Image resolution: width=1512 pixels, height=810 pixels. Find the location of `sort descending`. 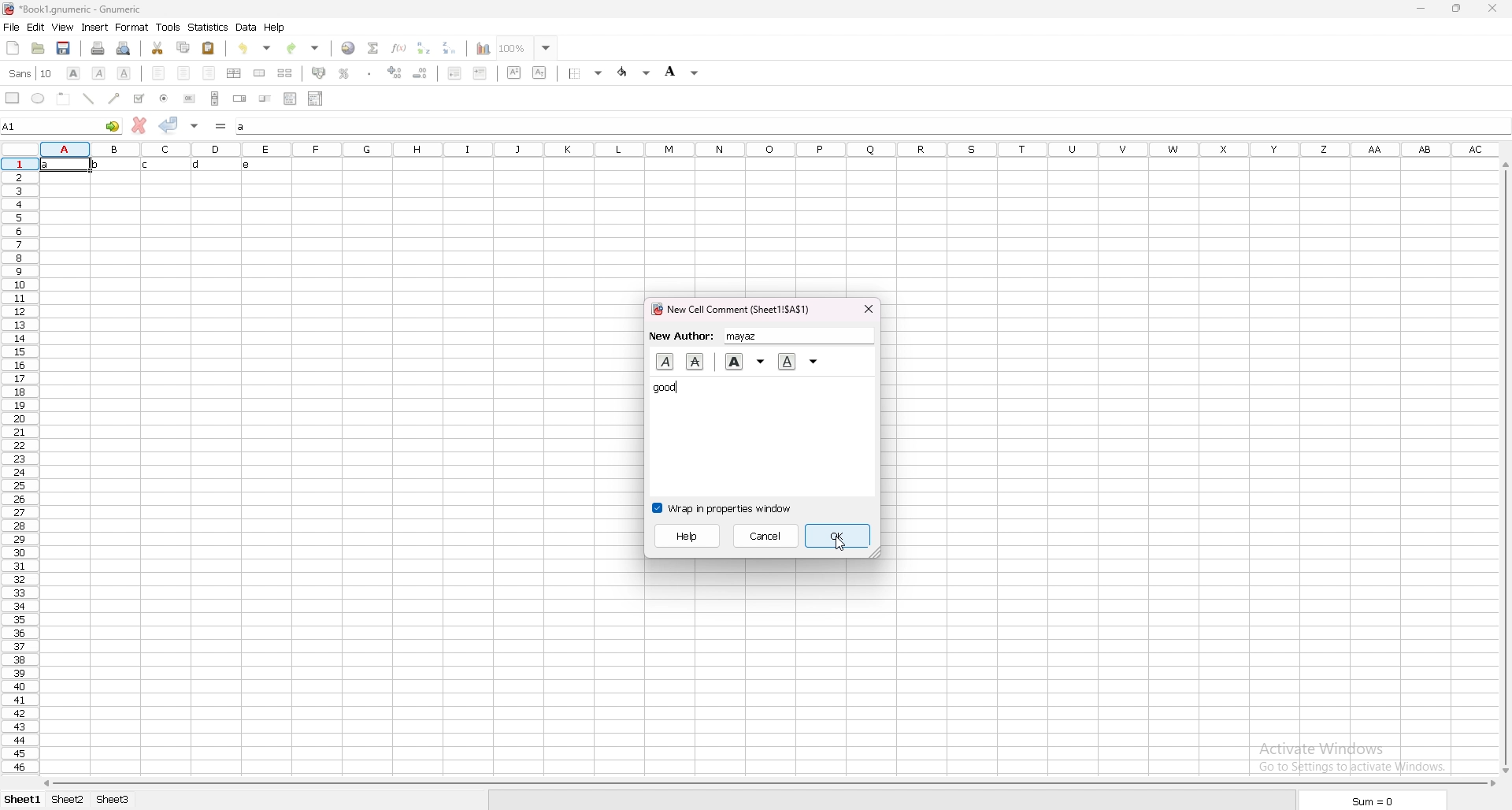

sort descending is located at coordinates (450, 48).